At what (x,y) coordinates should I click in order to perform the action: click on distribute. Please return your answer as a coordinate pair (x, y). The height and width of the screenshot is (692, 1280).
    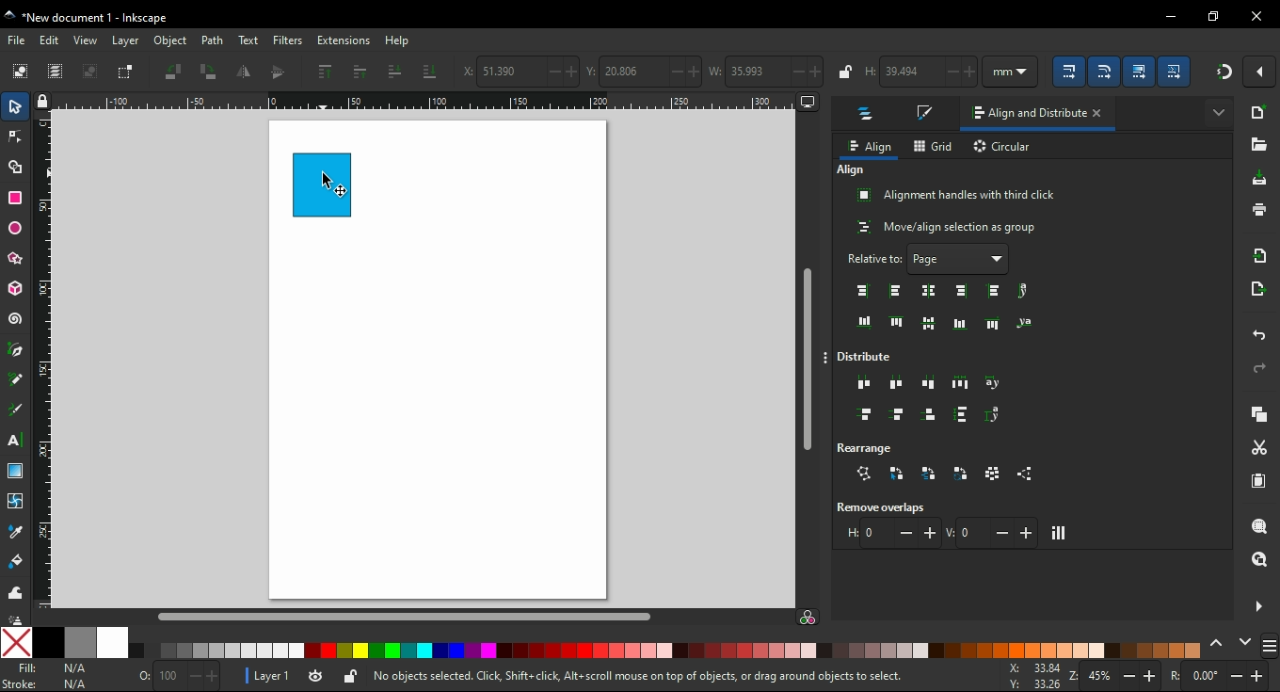
    Looking at the image, I should click on (870, 357).